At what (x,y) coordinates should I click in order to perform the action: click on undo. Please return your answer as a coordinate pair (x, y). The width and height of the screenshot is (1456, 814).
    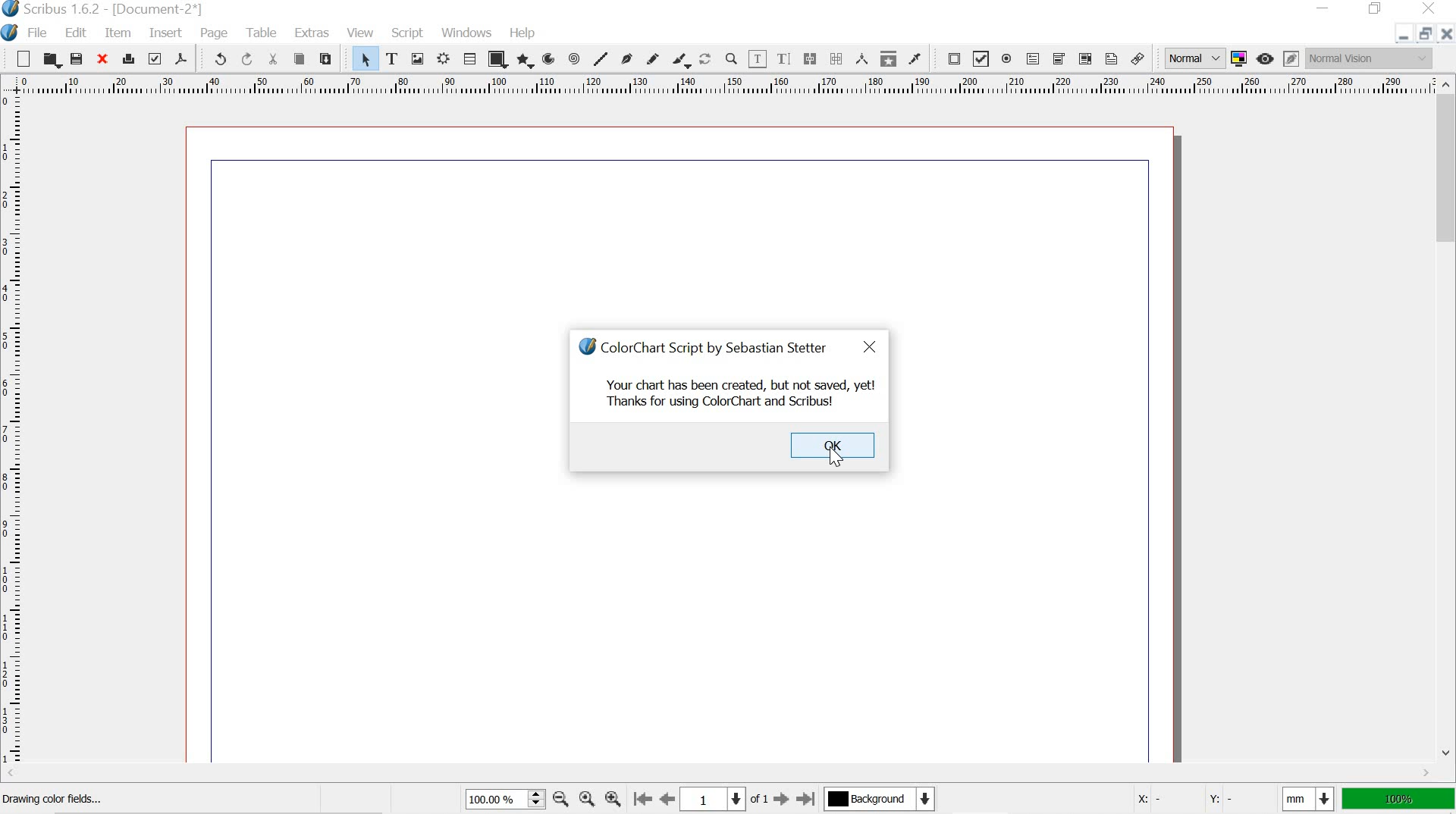
    Looking at the image, I should click on (215, 59).